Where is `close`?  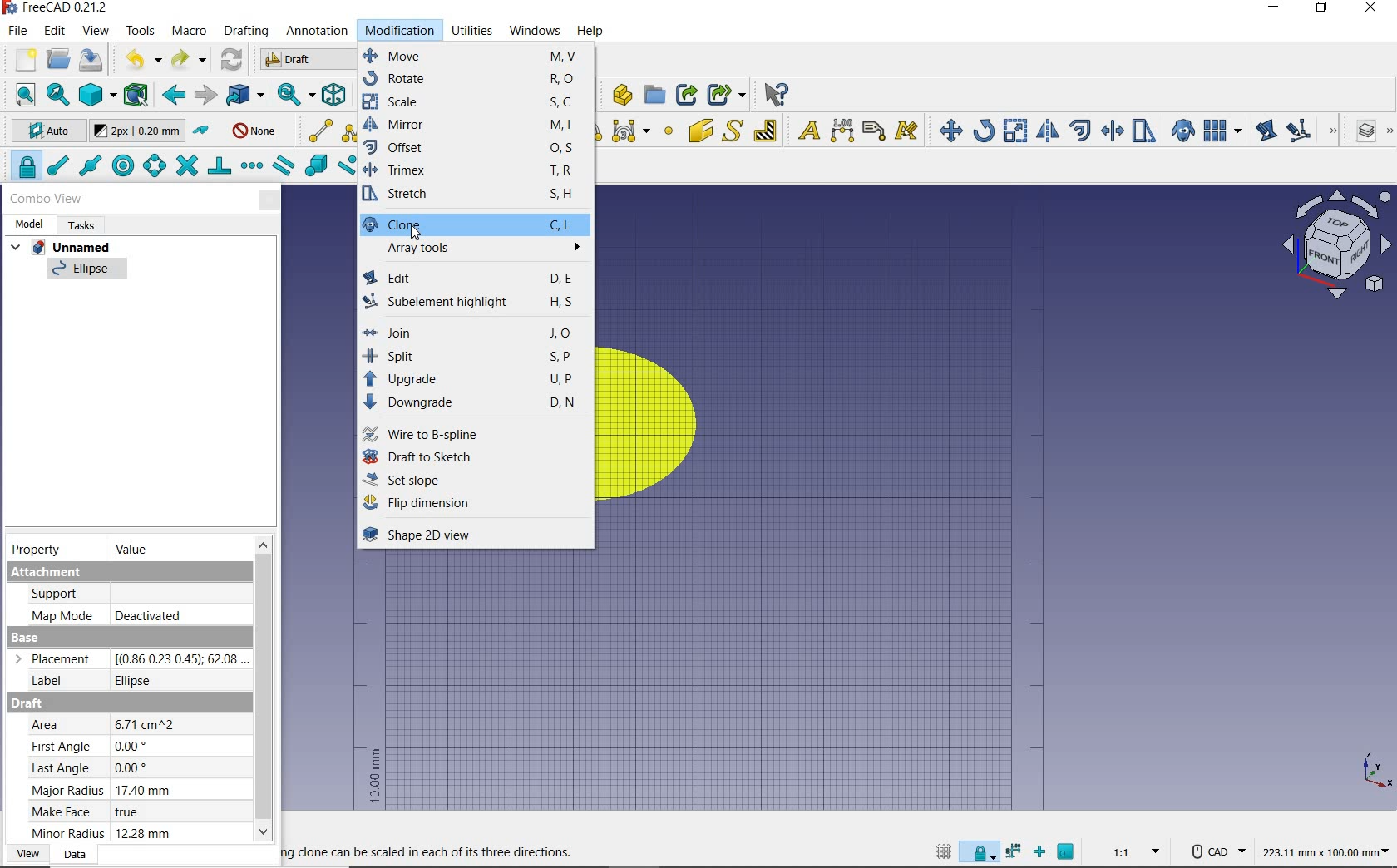
close is located at coordinates (270, 200).